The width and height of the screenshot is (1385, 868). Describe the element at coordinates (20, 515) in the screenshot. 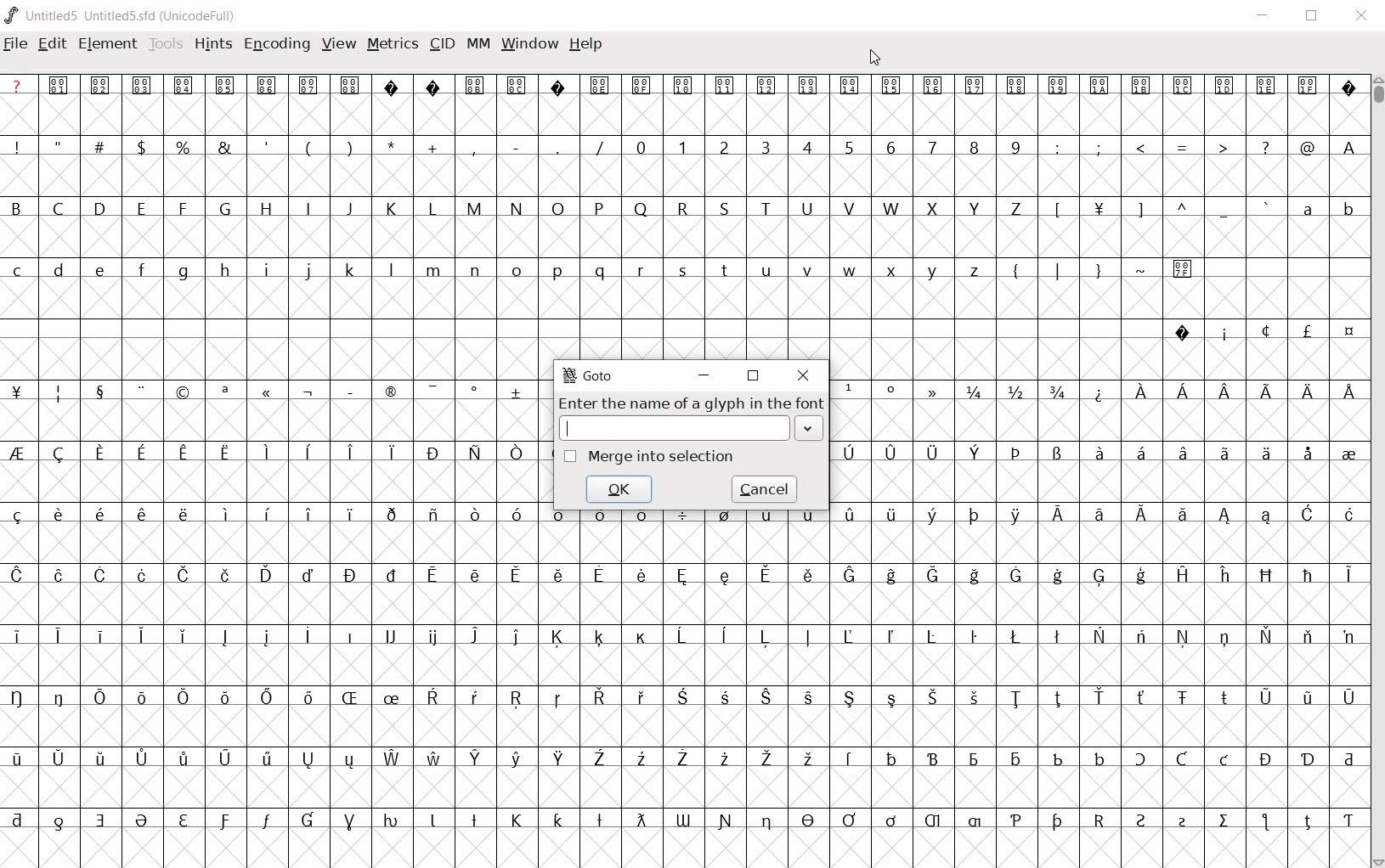

I see `Symbol` at that location.